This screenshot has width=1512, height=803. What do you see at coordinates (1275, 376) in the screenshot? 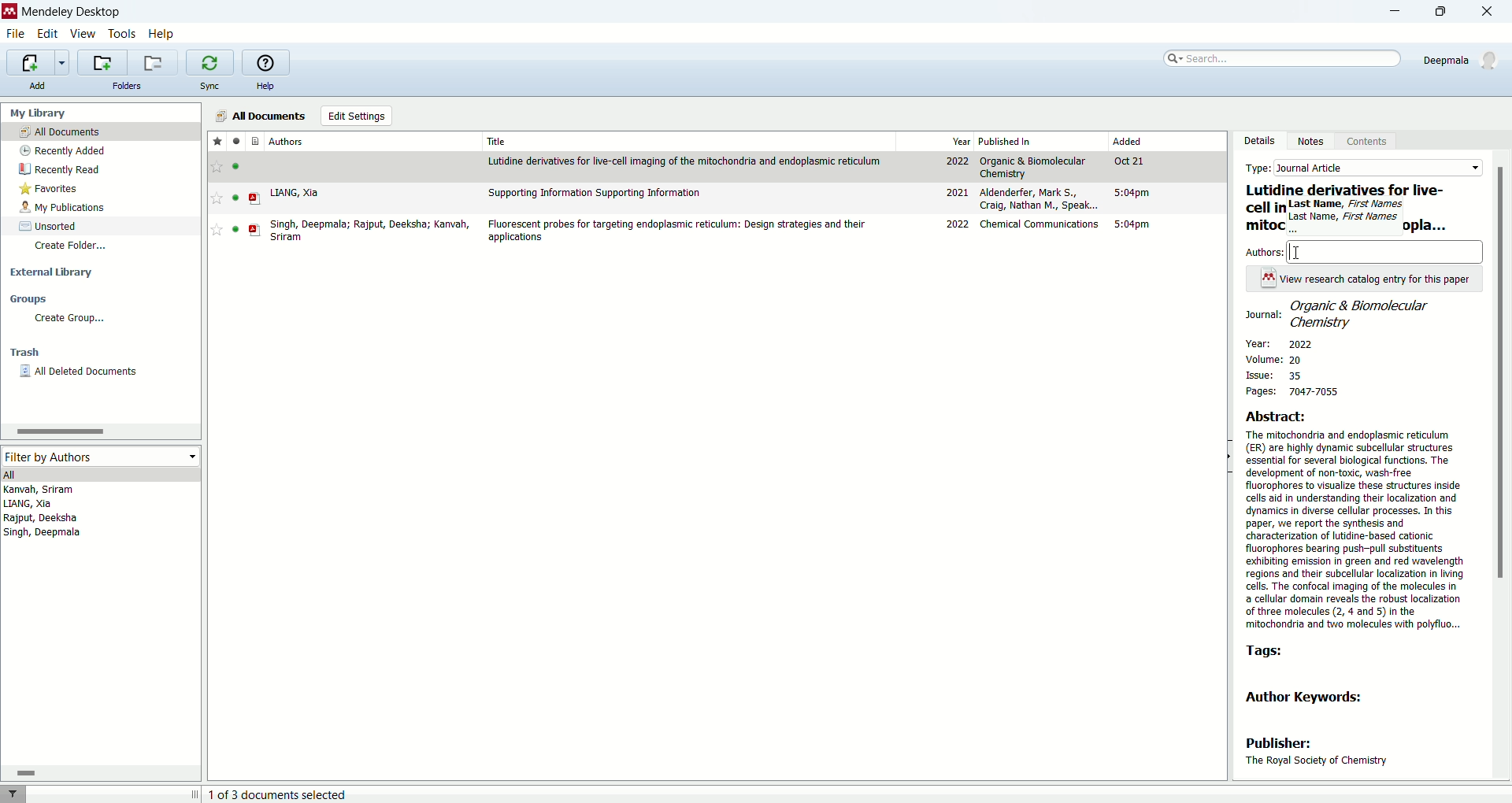
I see `issue: 35` at bounding box center [1275, 376].